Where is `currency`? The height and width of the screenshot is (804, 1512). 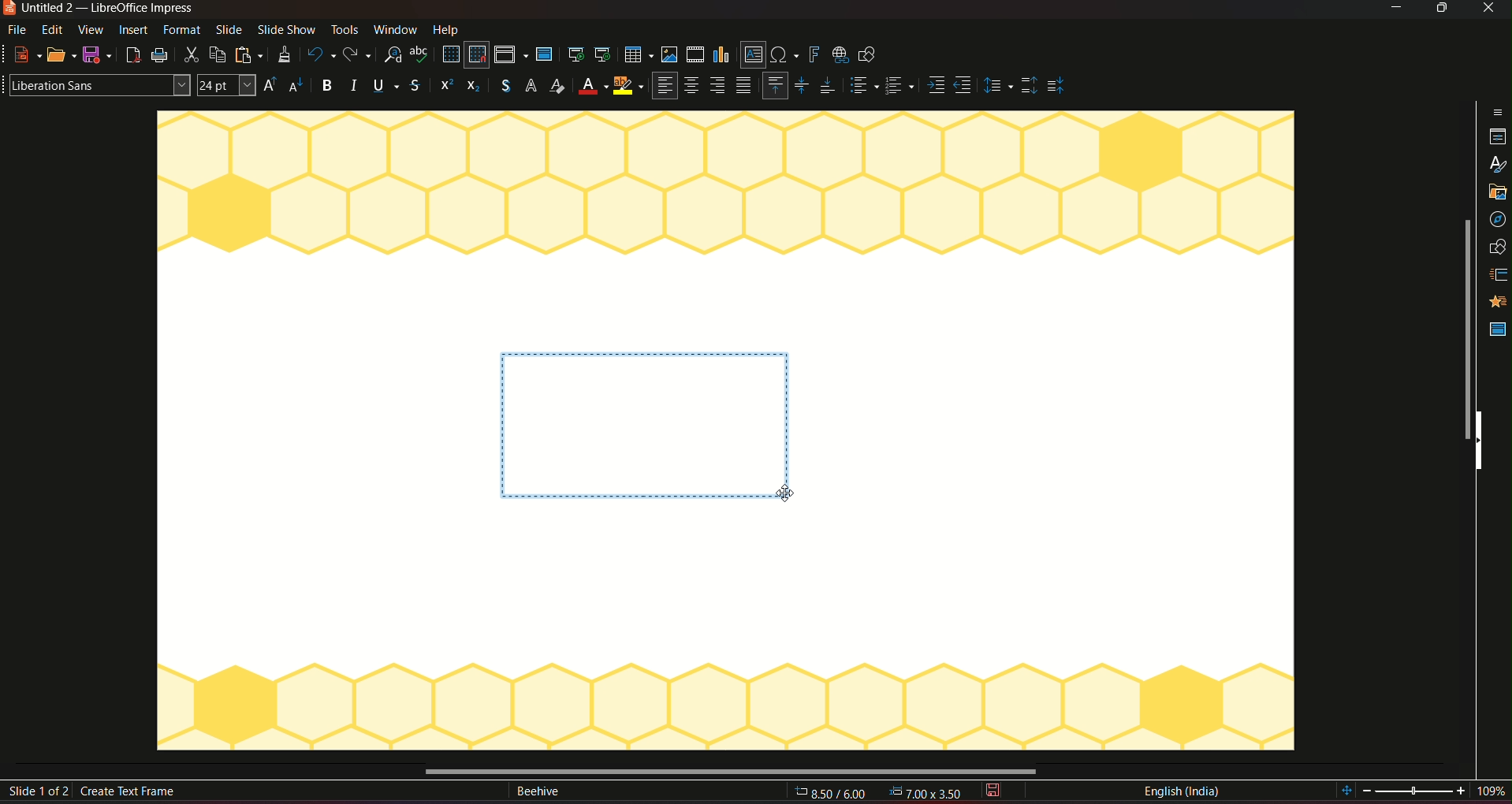 currency is located at coordinates (501, 87).